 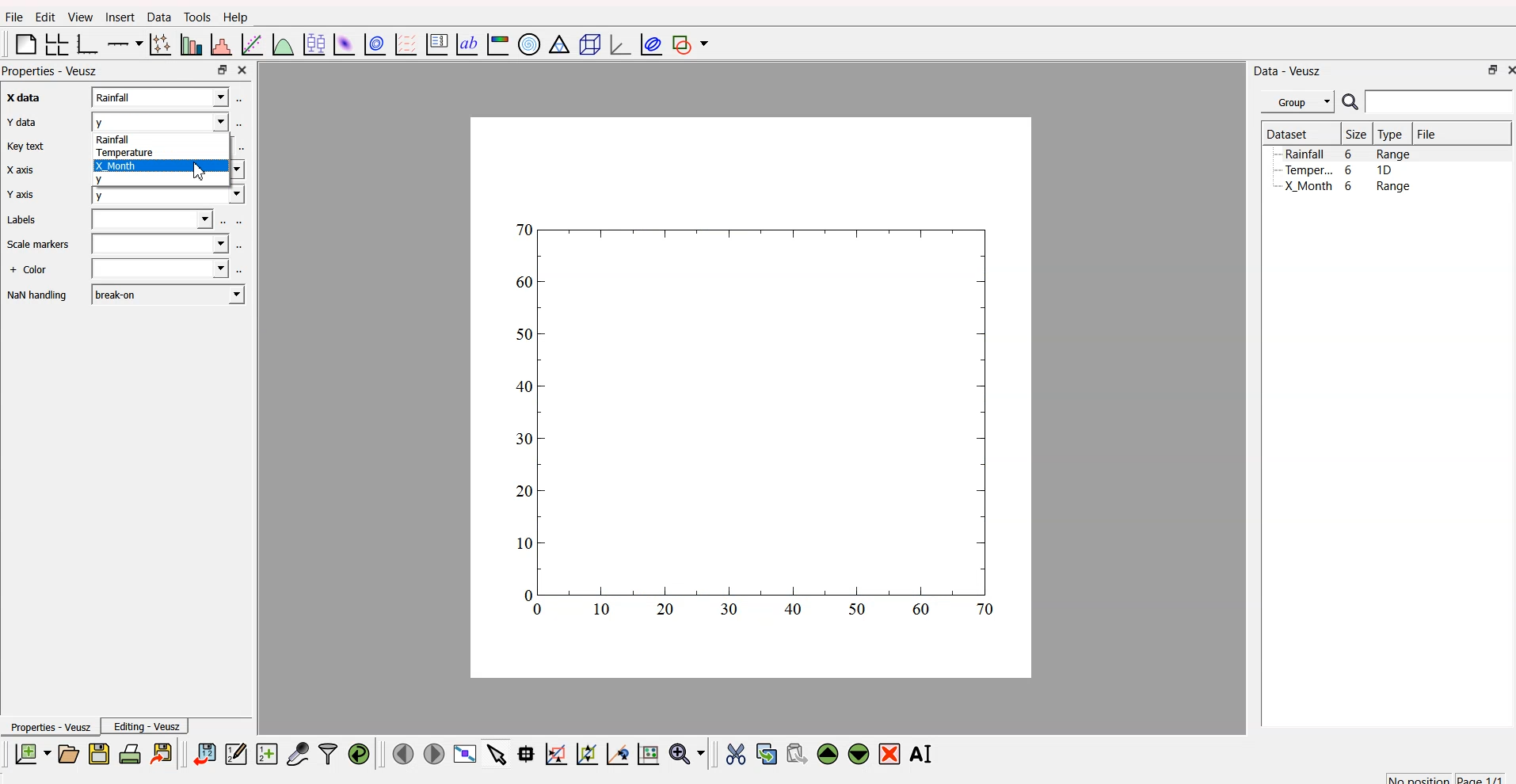 What do you see at coordinates (32, 755) in the screenshot?
I see `new document` at bounding box center [32, 755].